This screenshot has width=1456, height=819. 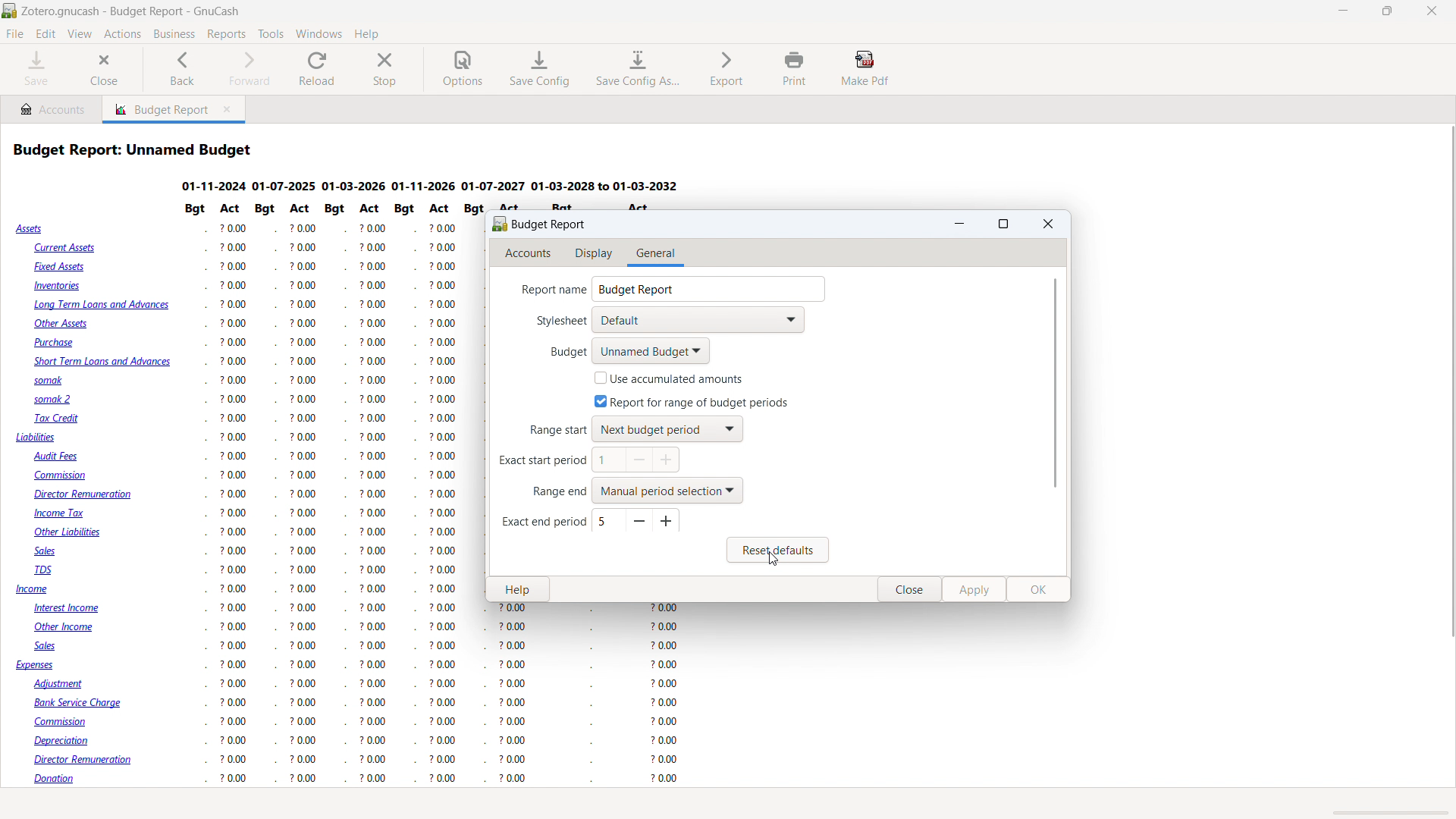 I want to click on close tab, so click(x=230, y=110).